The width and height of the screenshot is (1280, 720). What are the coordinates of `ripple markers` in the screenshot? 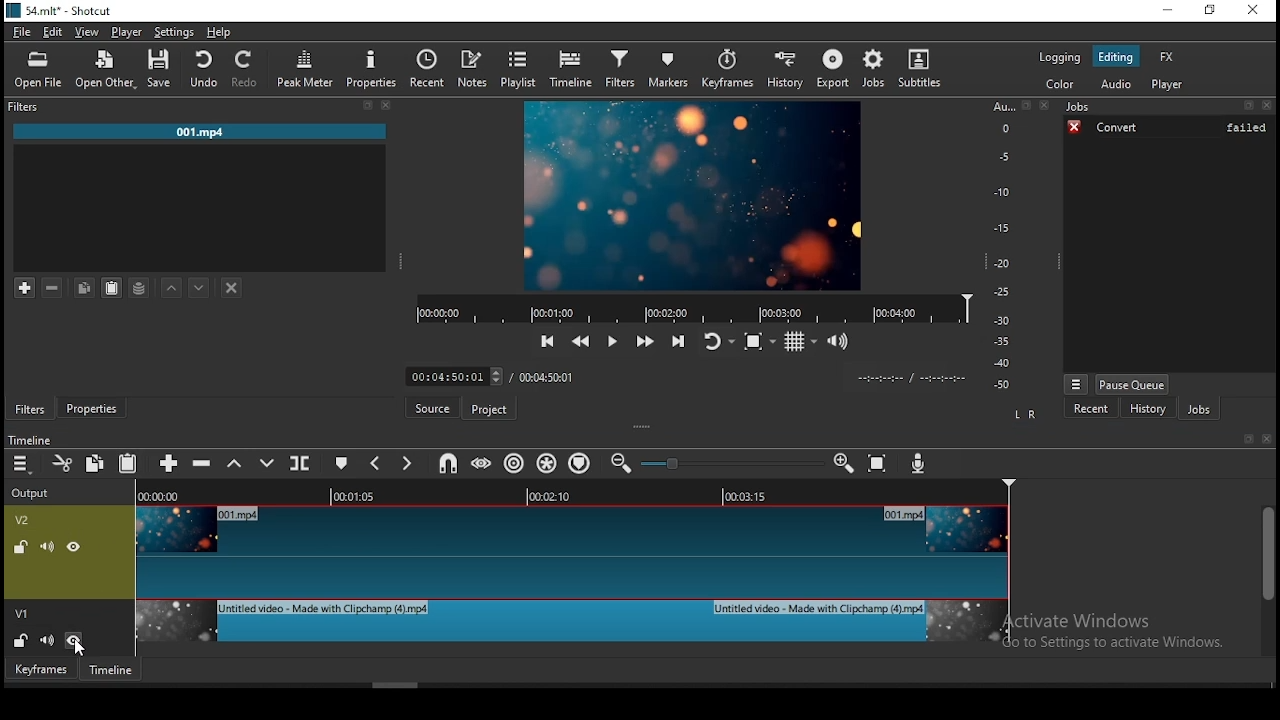 It's located at (583, 463).